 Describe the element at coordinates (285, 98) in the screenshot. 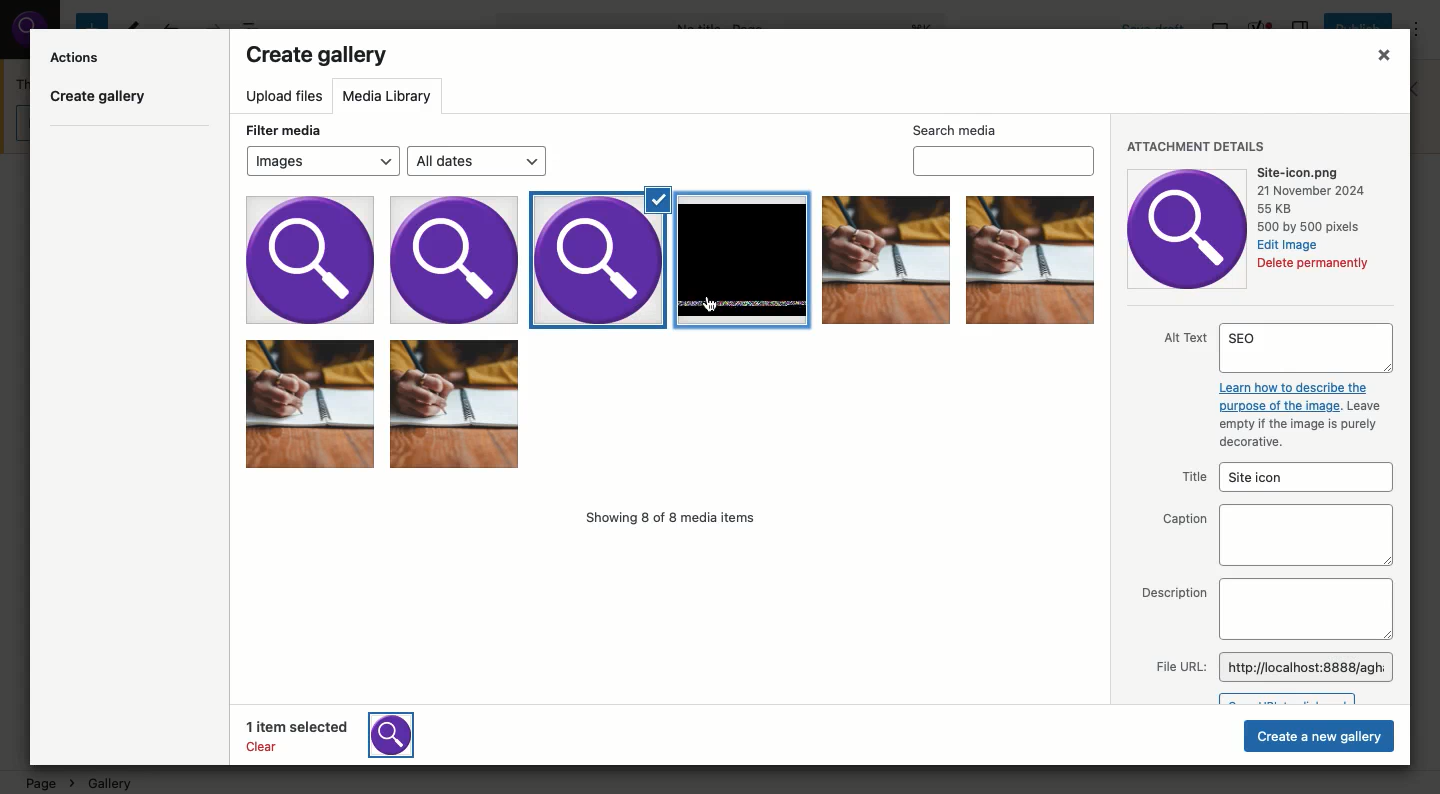

I see `Upload files` at that location.